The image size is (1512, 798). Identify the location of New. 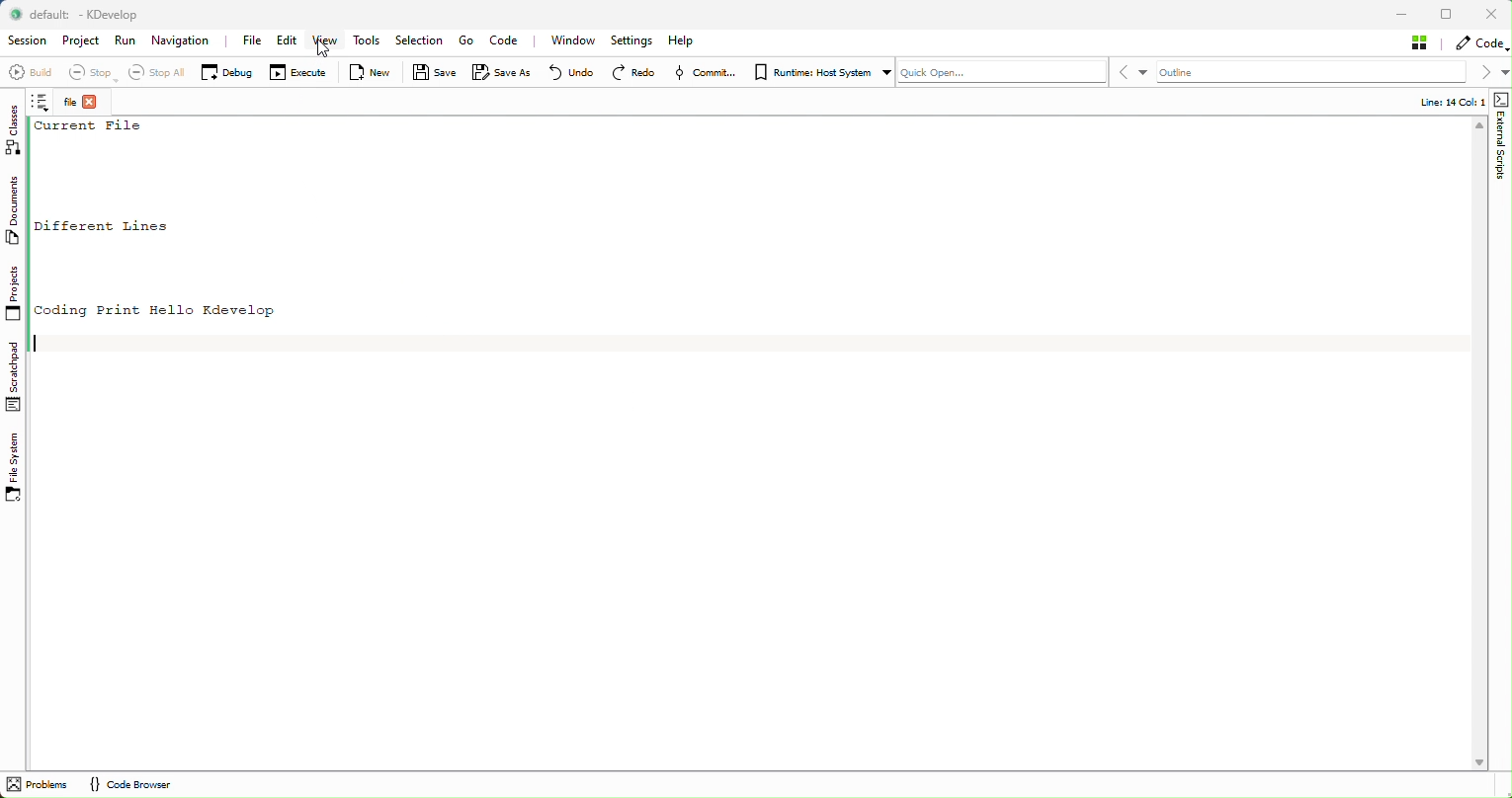
(375, 73).